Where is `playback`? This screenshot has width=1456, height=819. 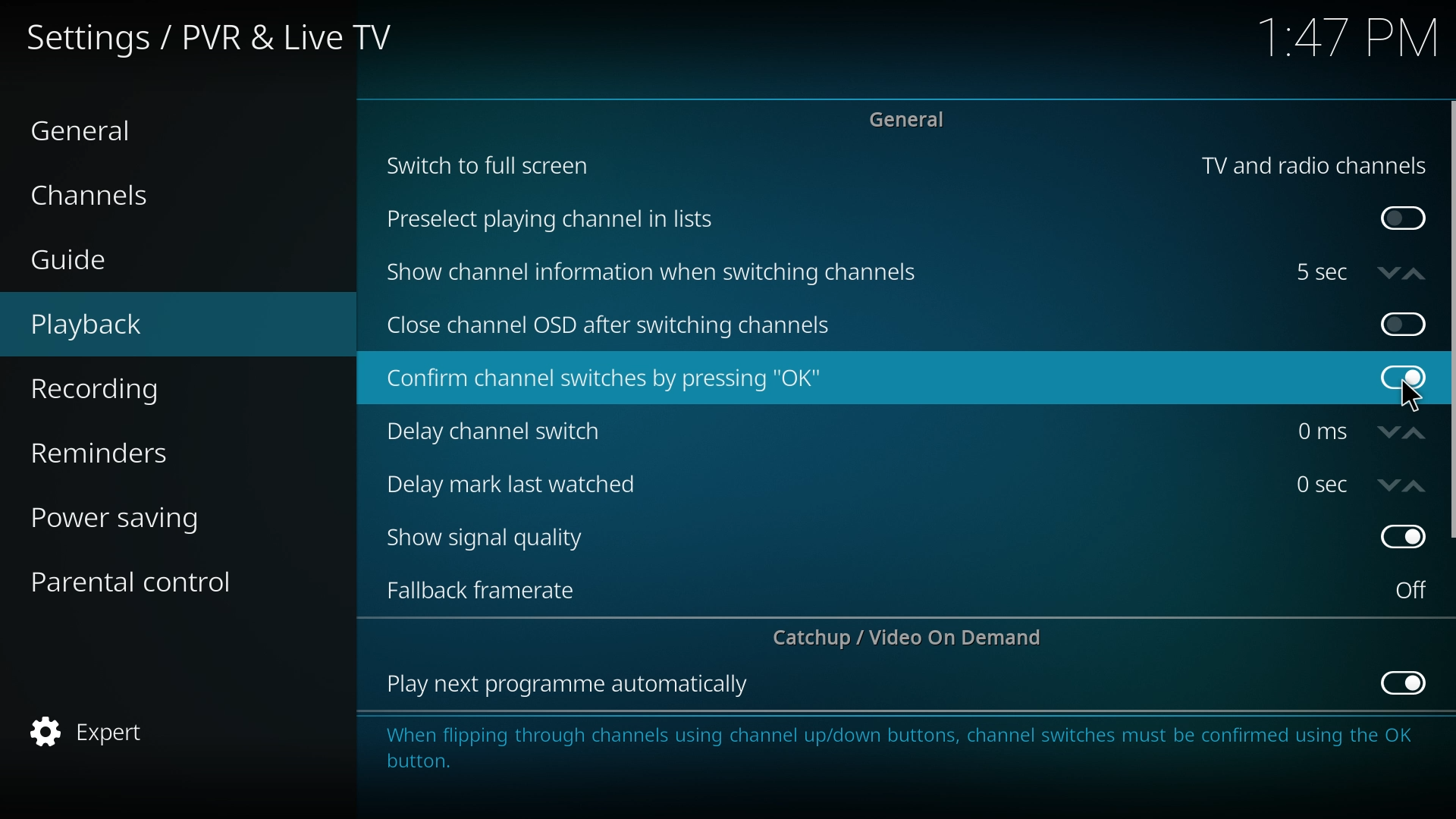
playback is located at coordinates (133, 325).